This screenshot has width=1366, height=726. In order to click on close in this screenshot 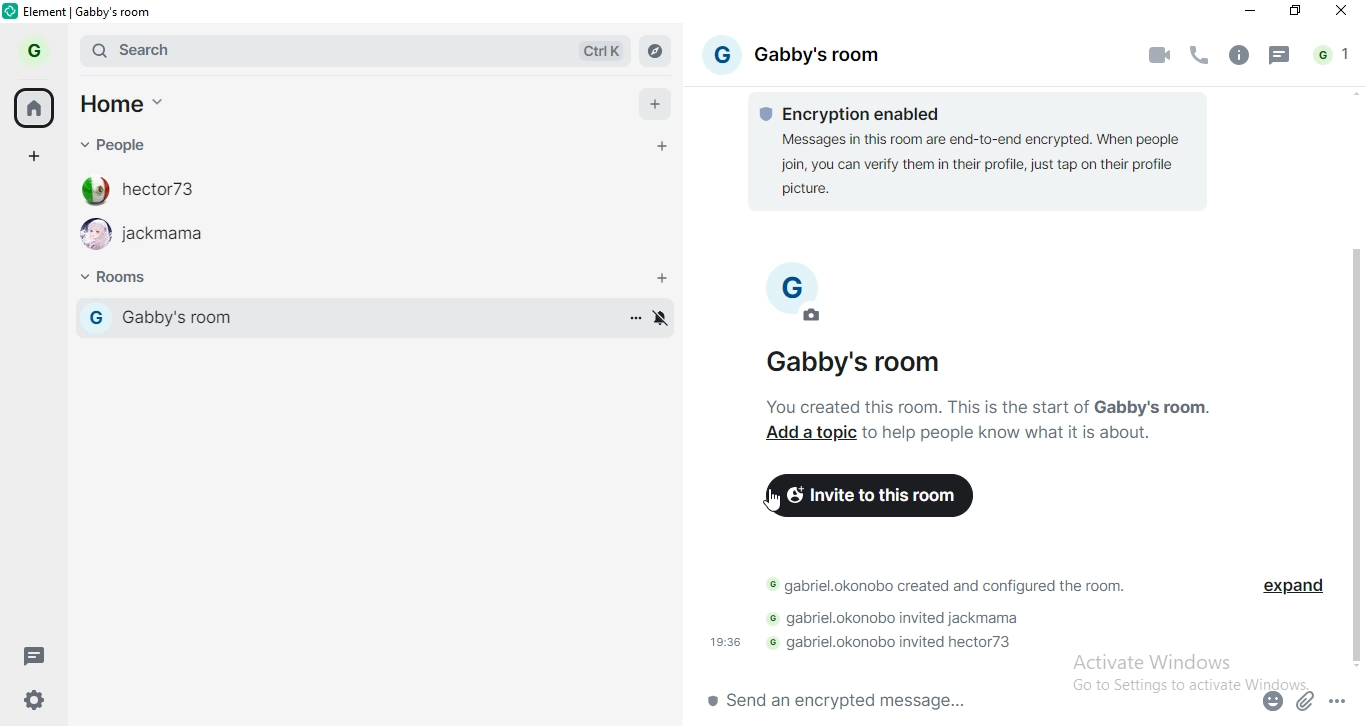, I will do `click(1346, 13)`.